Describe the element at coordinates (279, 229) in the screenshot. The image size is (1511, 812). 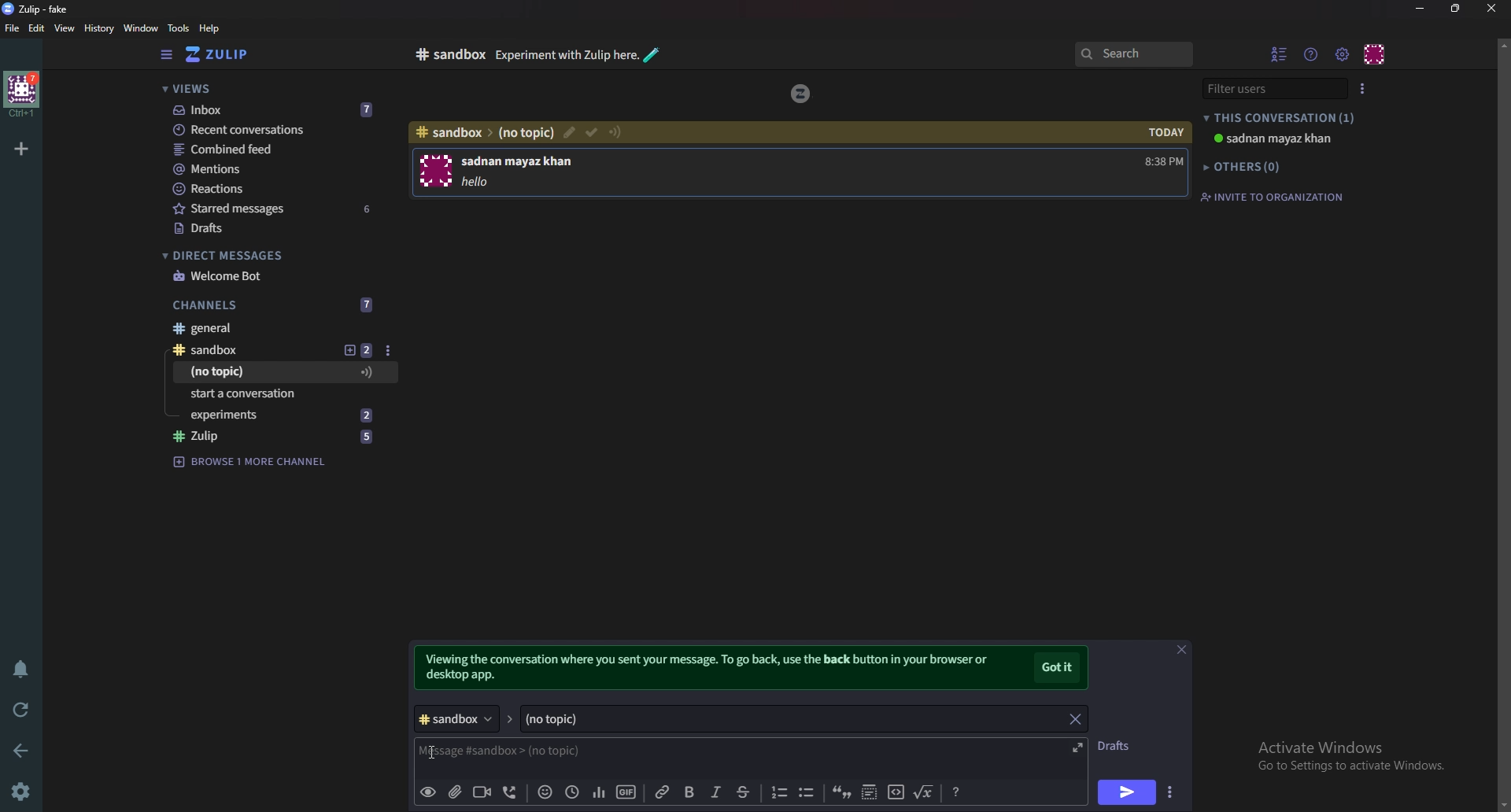
I see `drafts` at that location.